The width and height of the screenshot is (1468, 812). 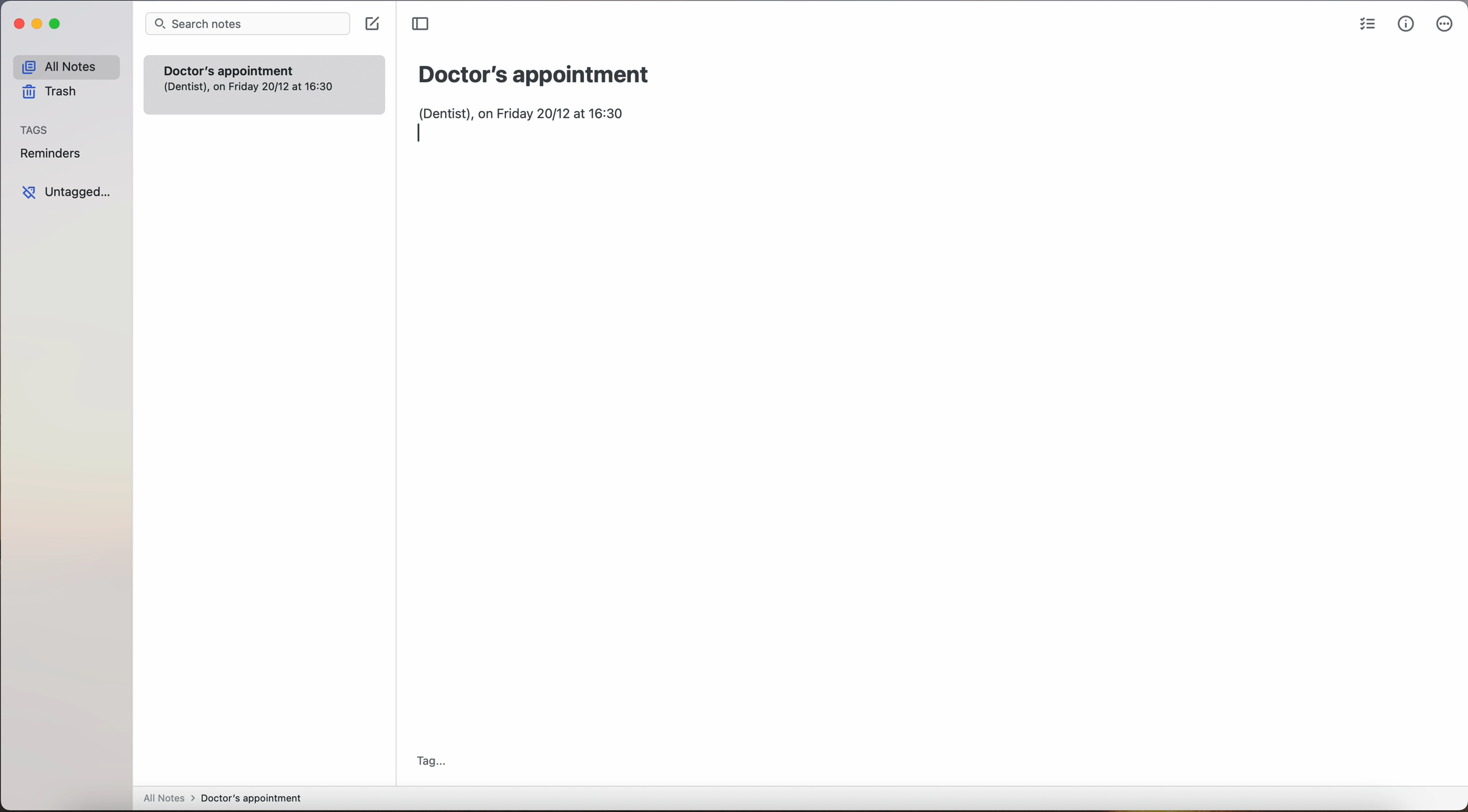 What do you see at coordinates (419, 23) in the screenshot?
I see `toggle sidebar` at bounding box center [419, 23].